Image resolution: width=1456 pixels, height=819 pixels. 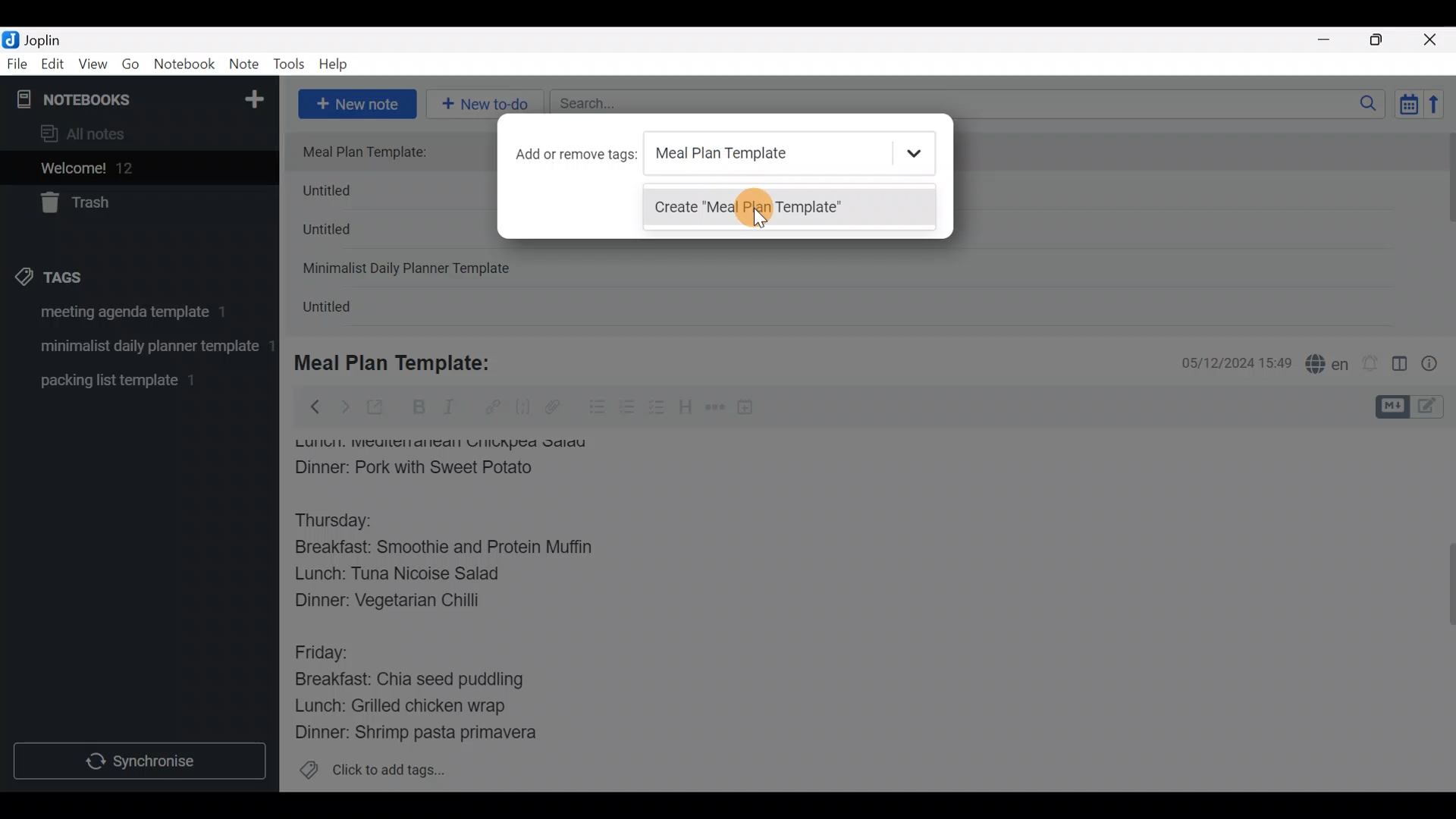 I want to click on Close, so click(x=1432, y=41).